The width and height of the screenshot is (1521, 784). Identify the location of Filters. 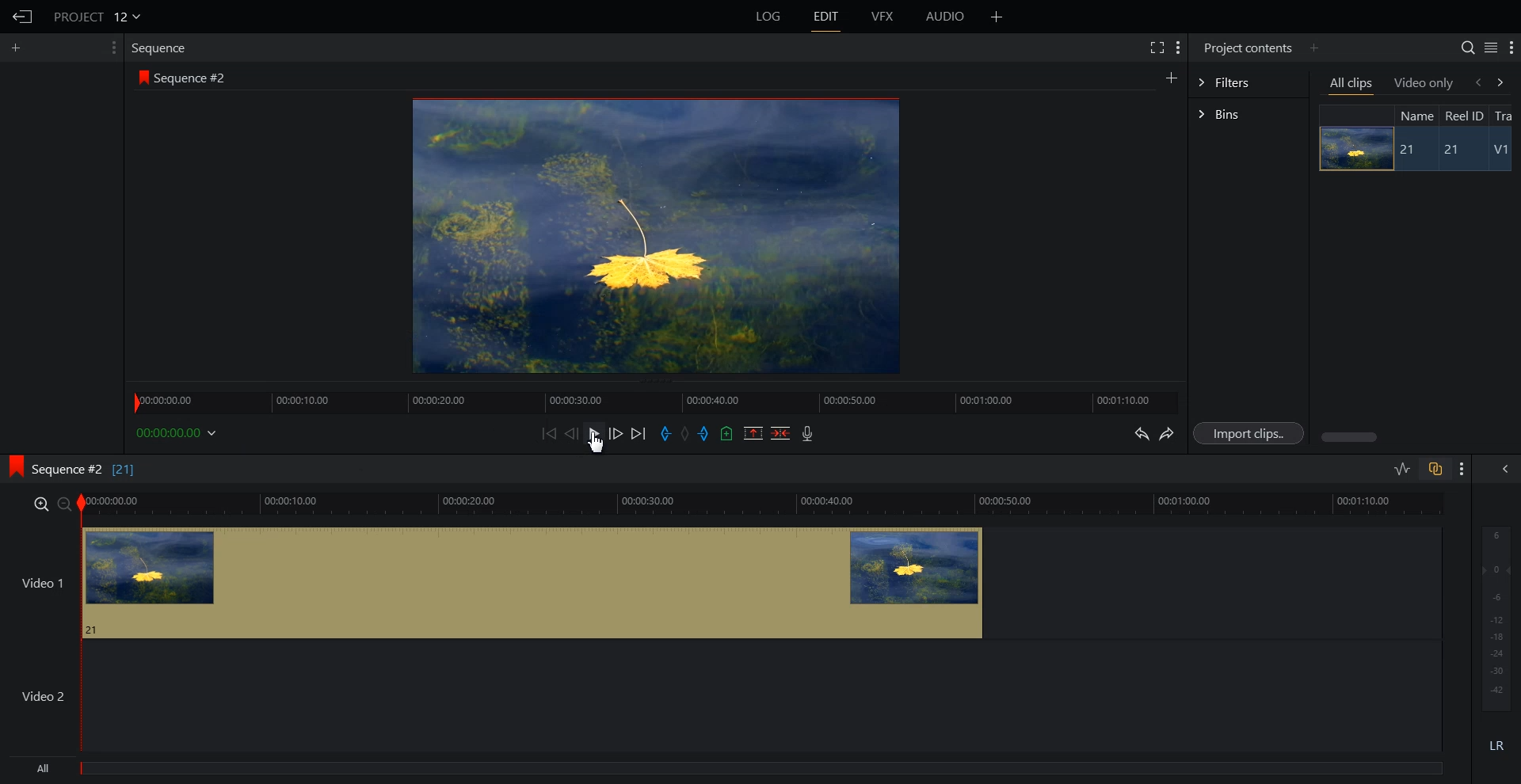
(1248, 81).